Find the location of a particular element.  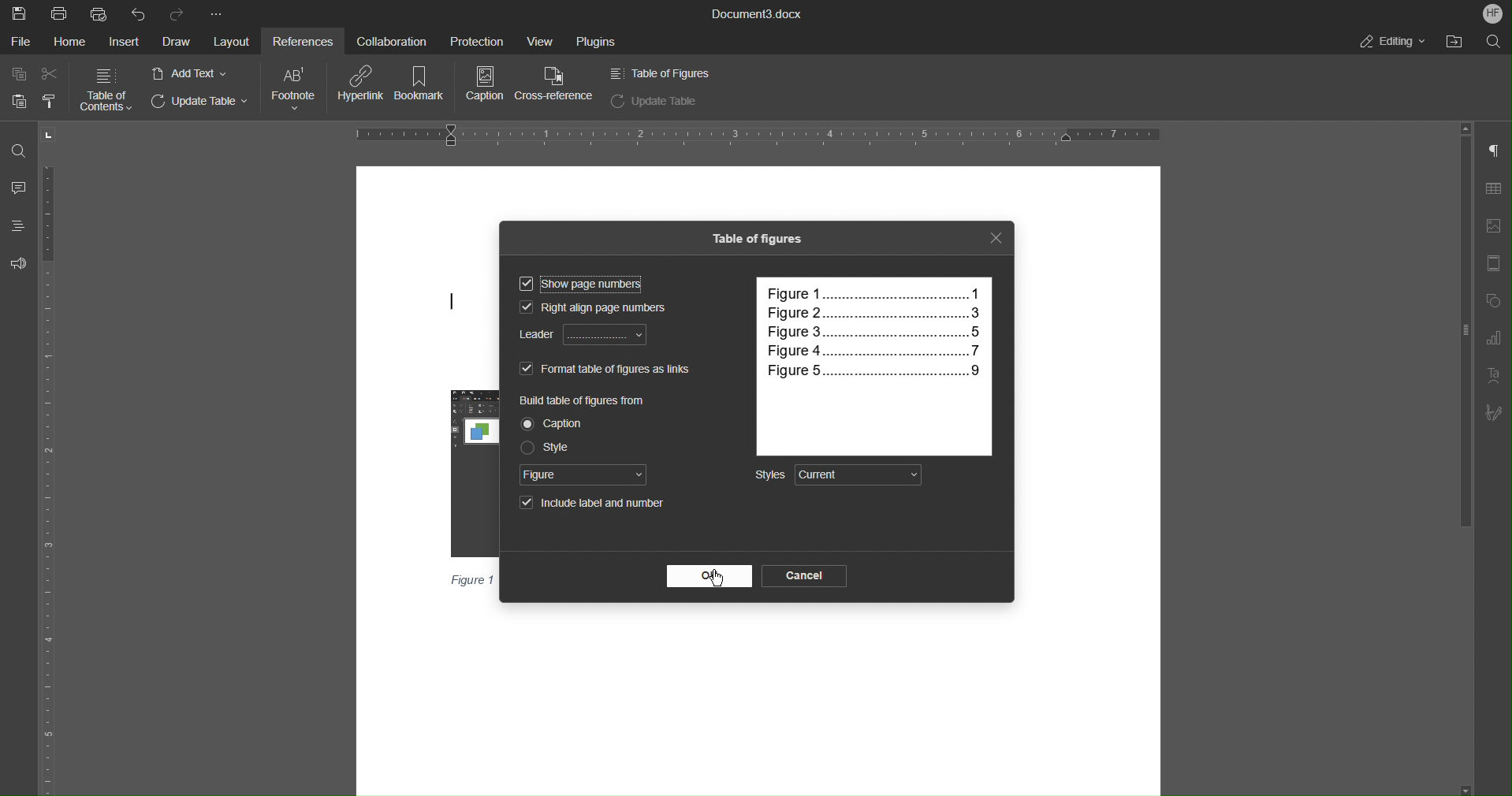

Search is located at coordinates (1497, 42).